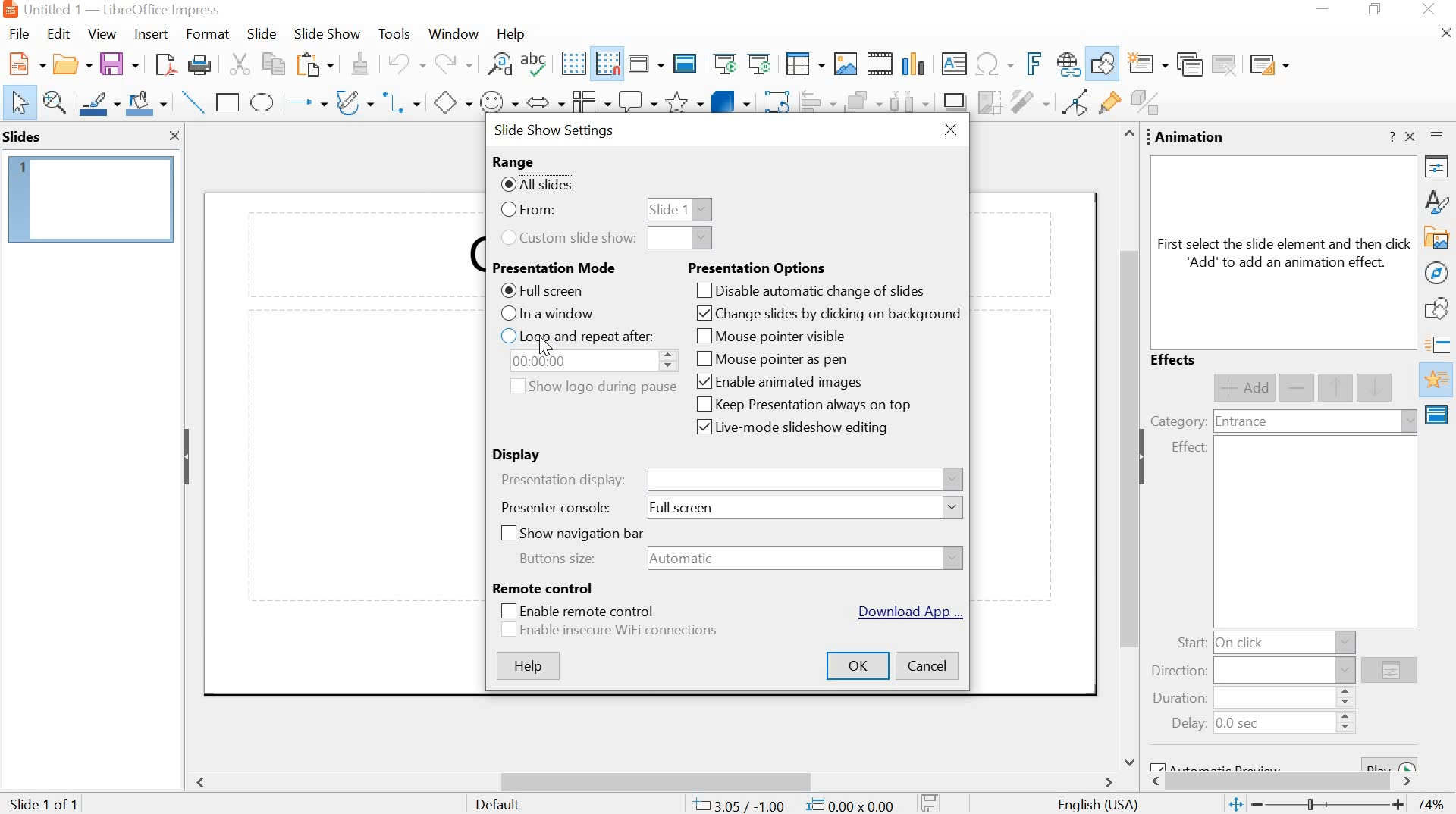 The height and width of the screenshot is (814, 1456). What do you see at coordinates (1439, 169) in the screenshot?
I see `properties` at bounding box center [1439, 169].